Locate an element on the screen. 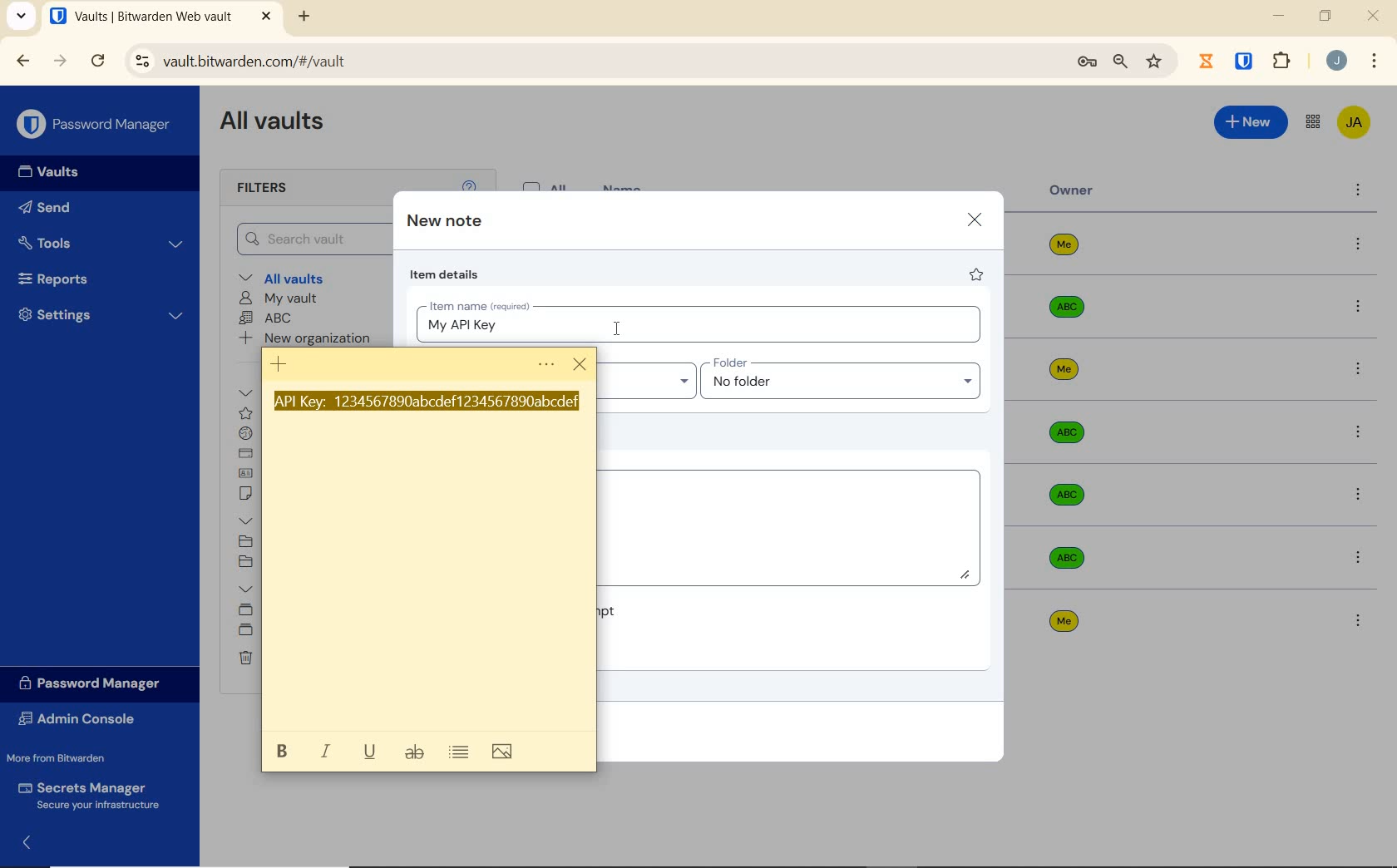 The height and width of the screenshot is (868, 1397). Input folder name is located at coordinates (844, 379).